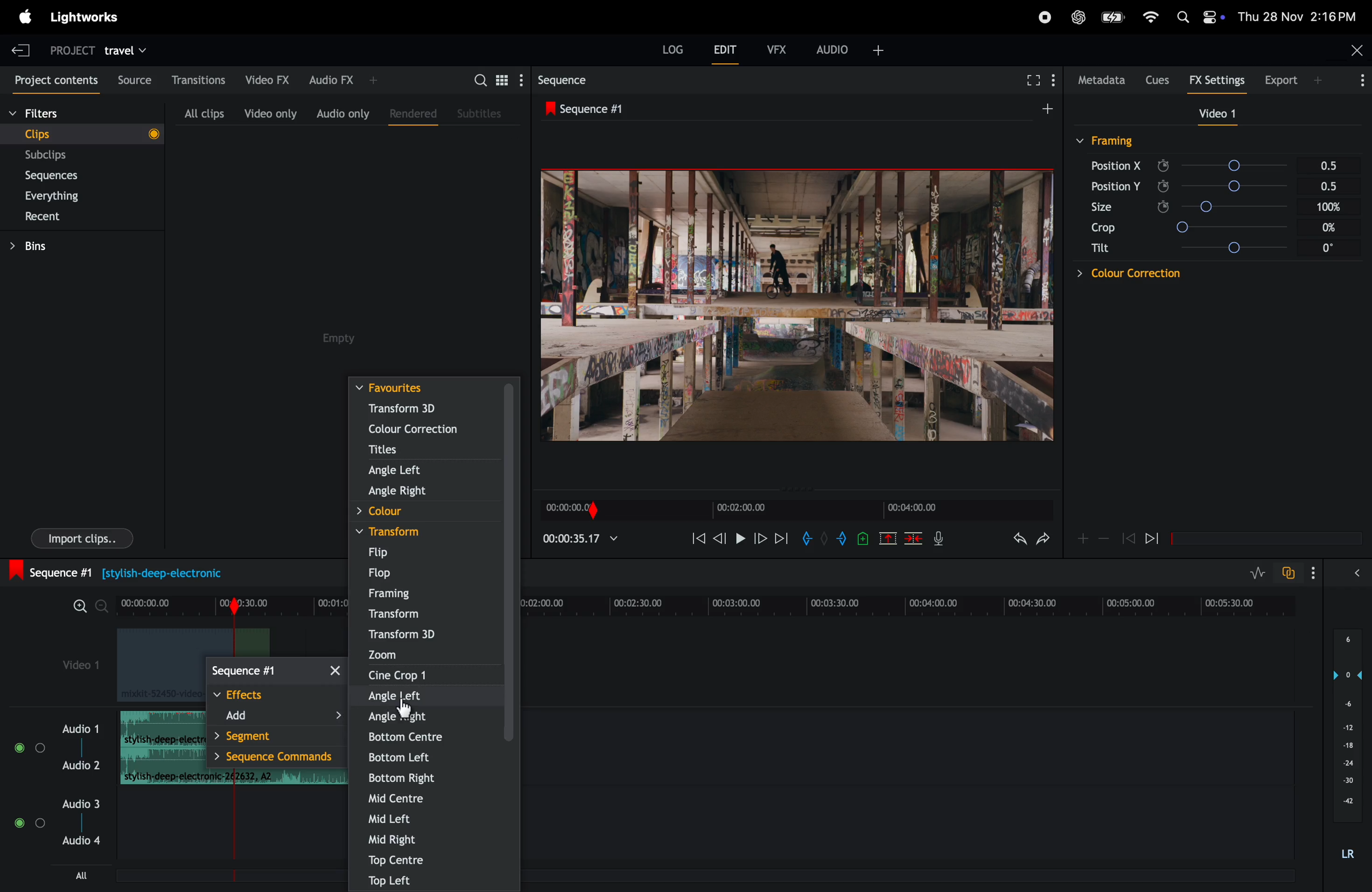  I want to click on remove marked section, so click(889, 538).